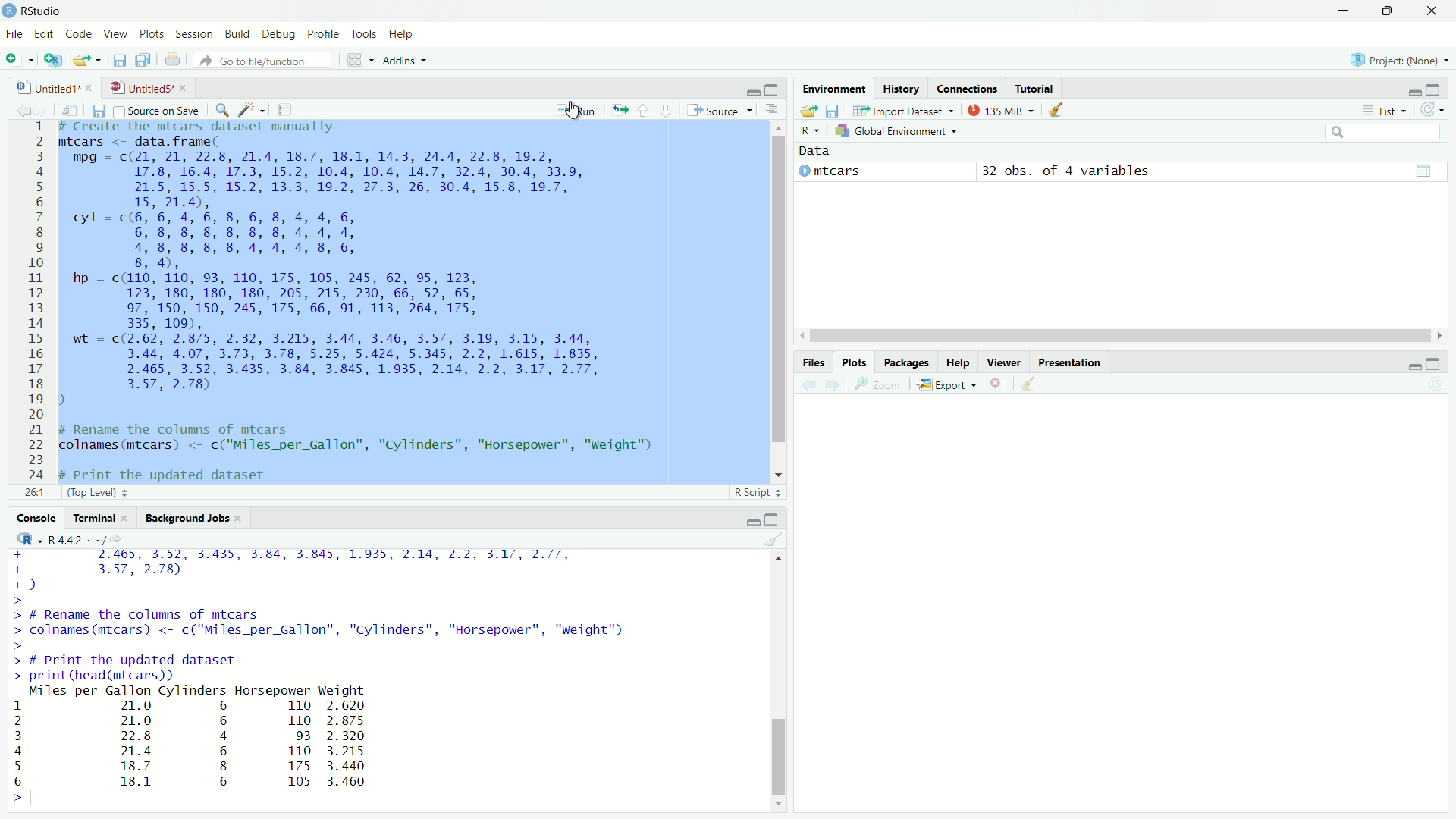 The height and width of the screenshot is (819, 1456). What do you see at coordinates (286, 107) in the screenshot?
I see `notes` at bounding box center [286, 107].